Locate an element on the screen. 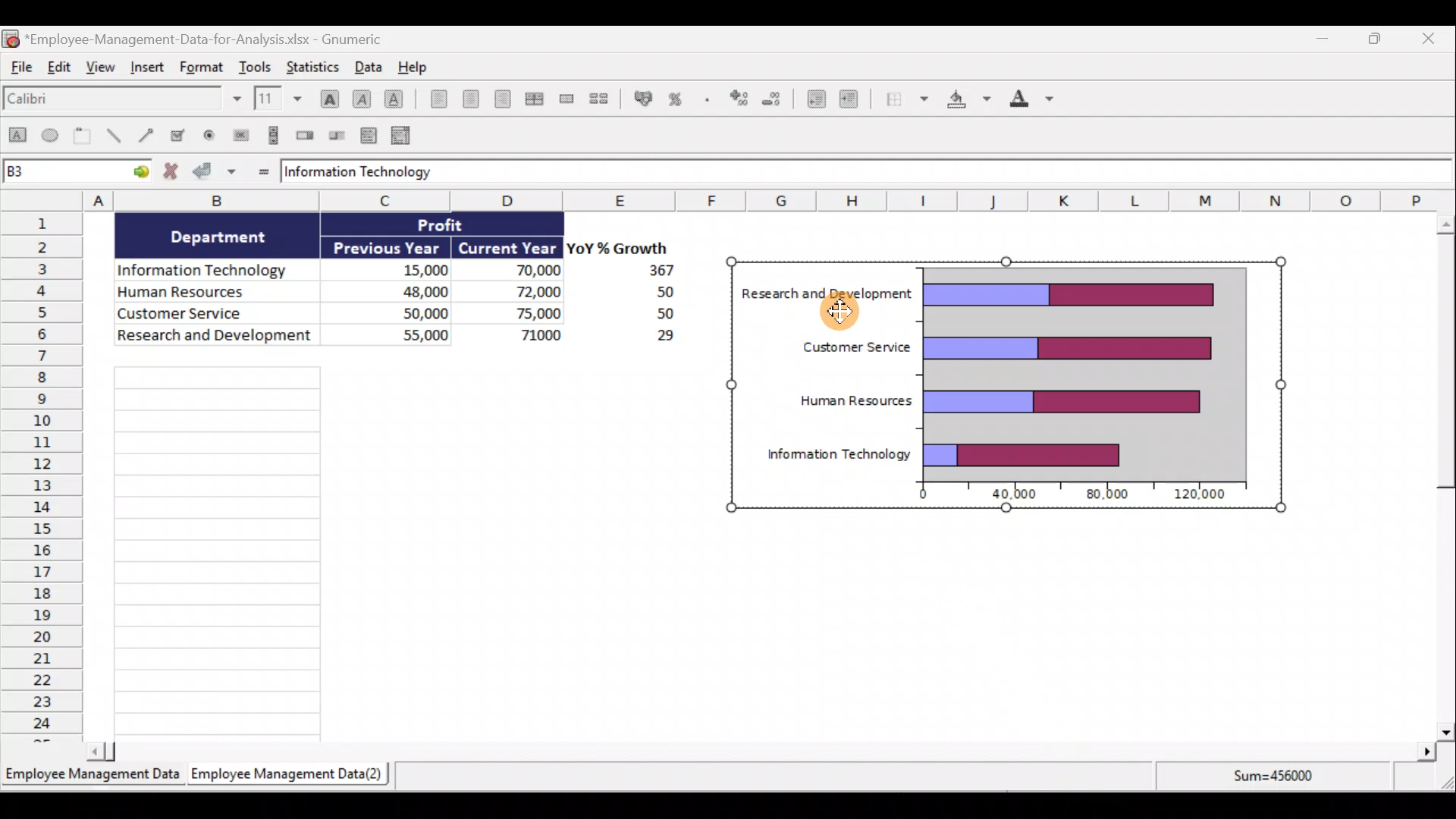 This screenshot has width=1456, height=819. Cells is located at coordinates (394, 550).